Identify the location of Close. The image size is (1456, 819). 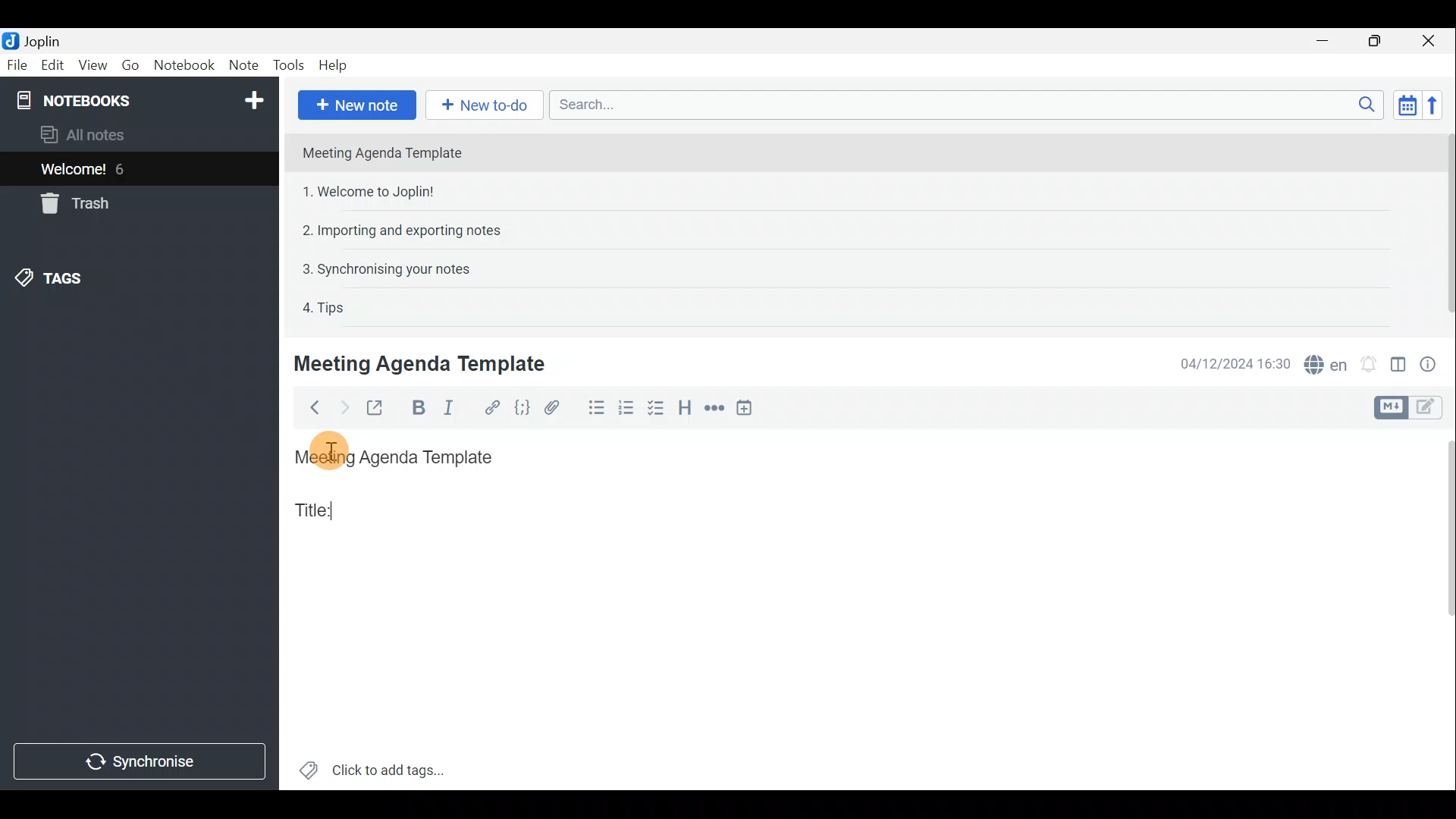
(1429, 42).